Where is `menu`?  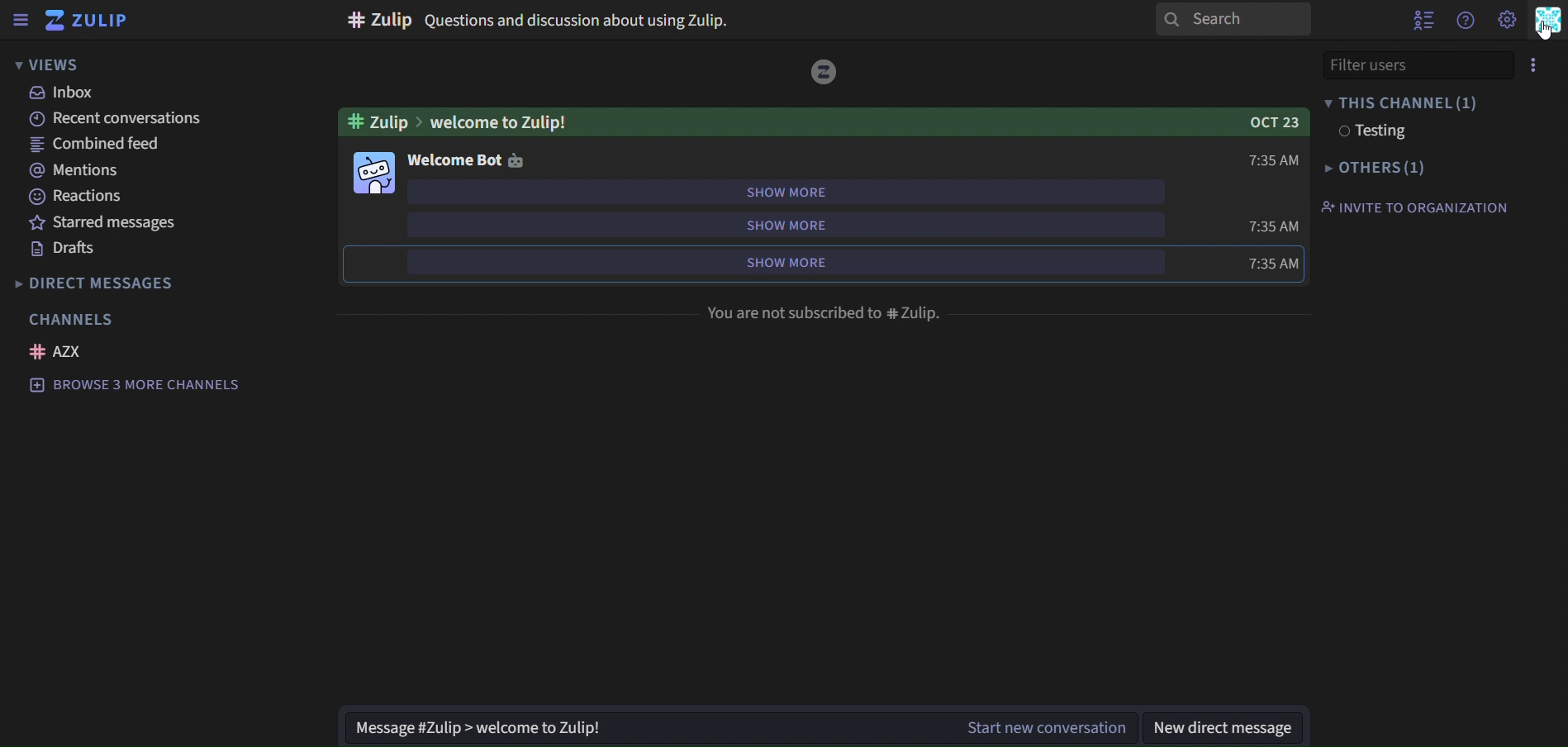
menu is located at coordinates (1528, 64).